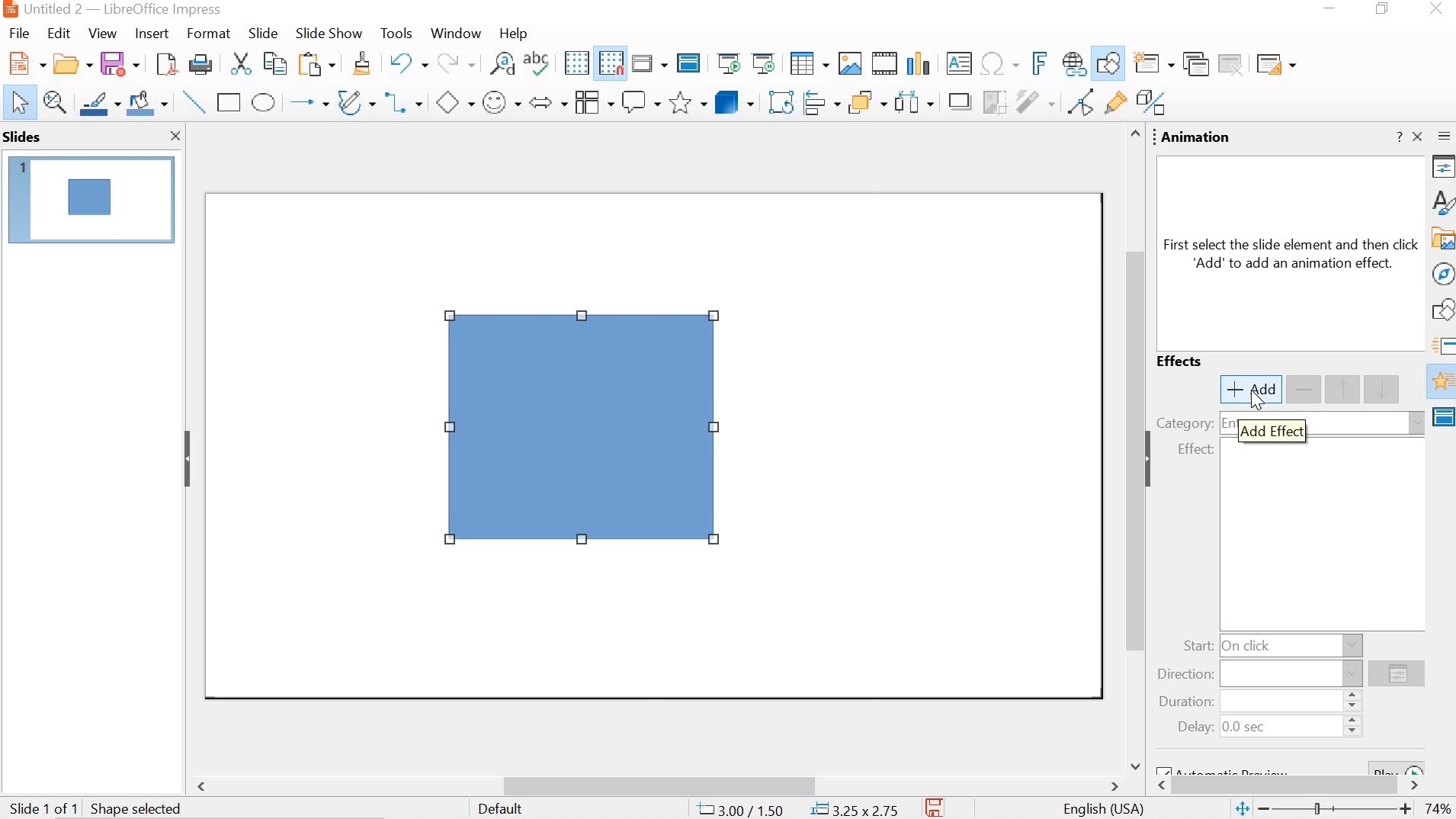 Image resolution: width=1456 pixels, height=819 pixels. Describe the element at coordinates (1292, 257) in the screenshot. I see `First select the slide element and then click
"Add" to add an animation effect.` at that location.